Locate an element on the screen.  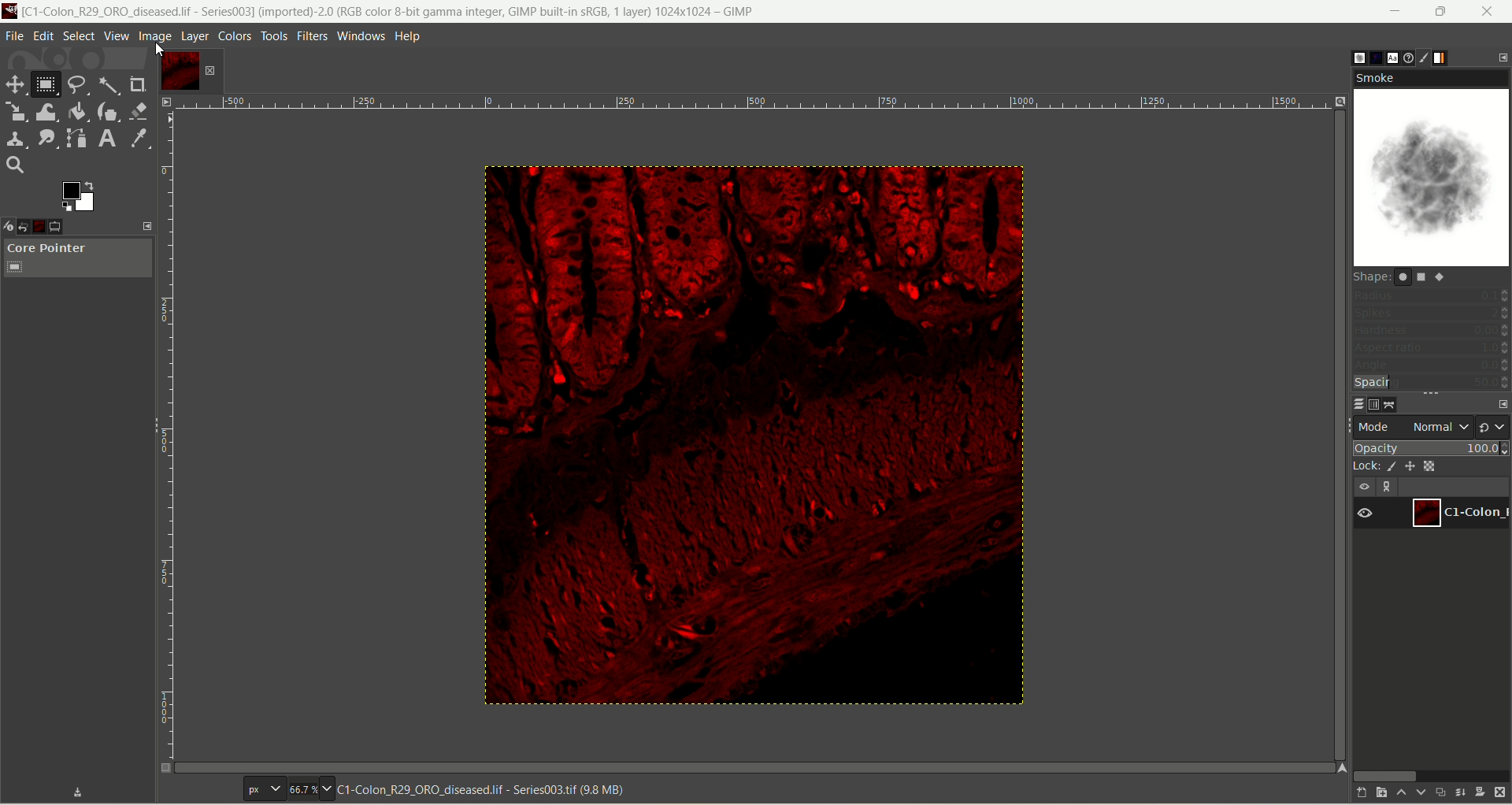
layer is located at coordinates (194, 37).